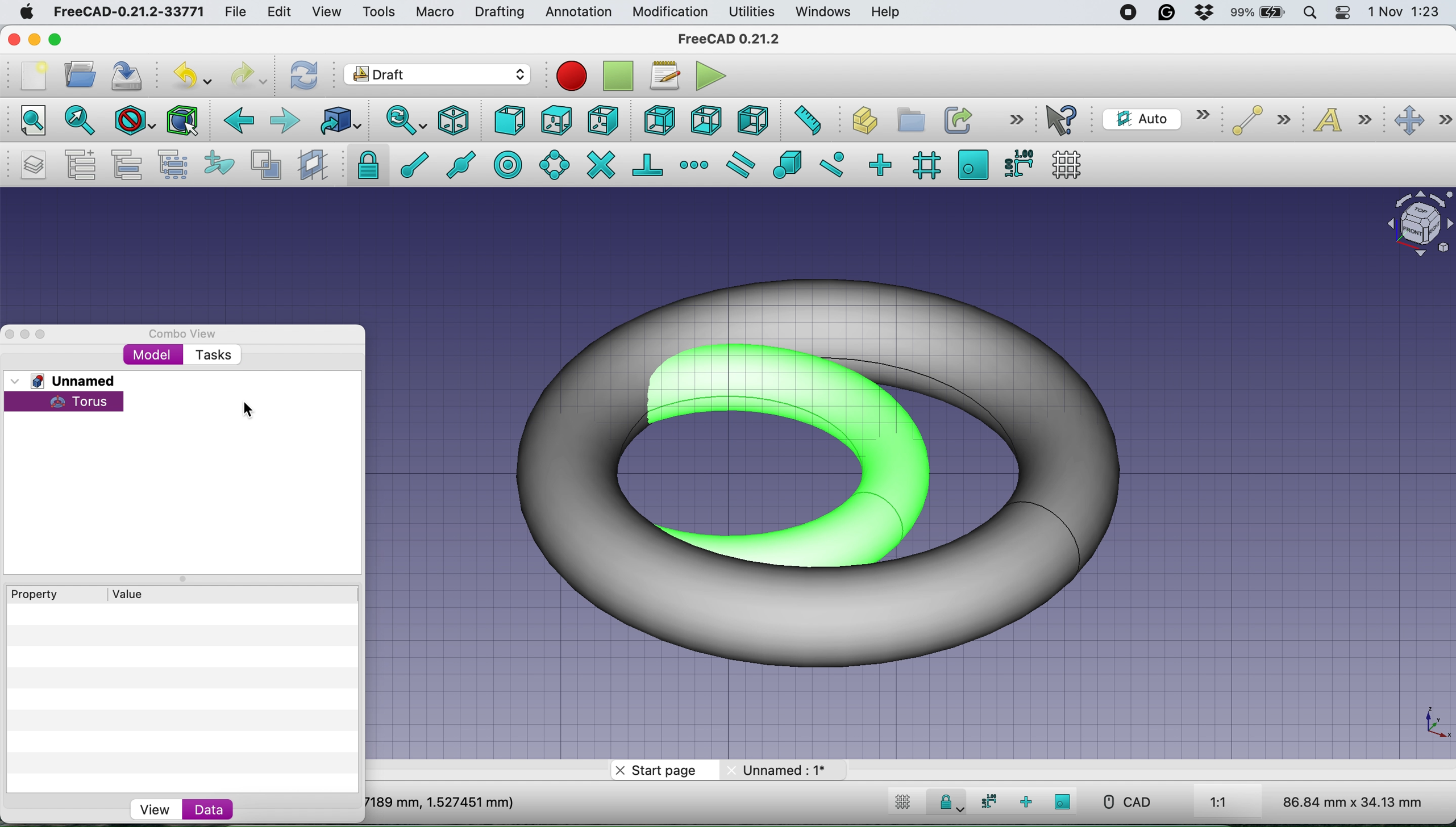 Image resolution: width=1456 pixels, height=827 pixels. Describe the element at coordinates (132, 123) in the screenshot. I see `draw style` at that location.